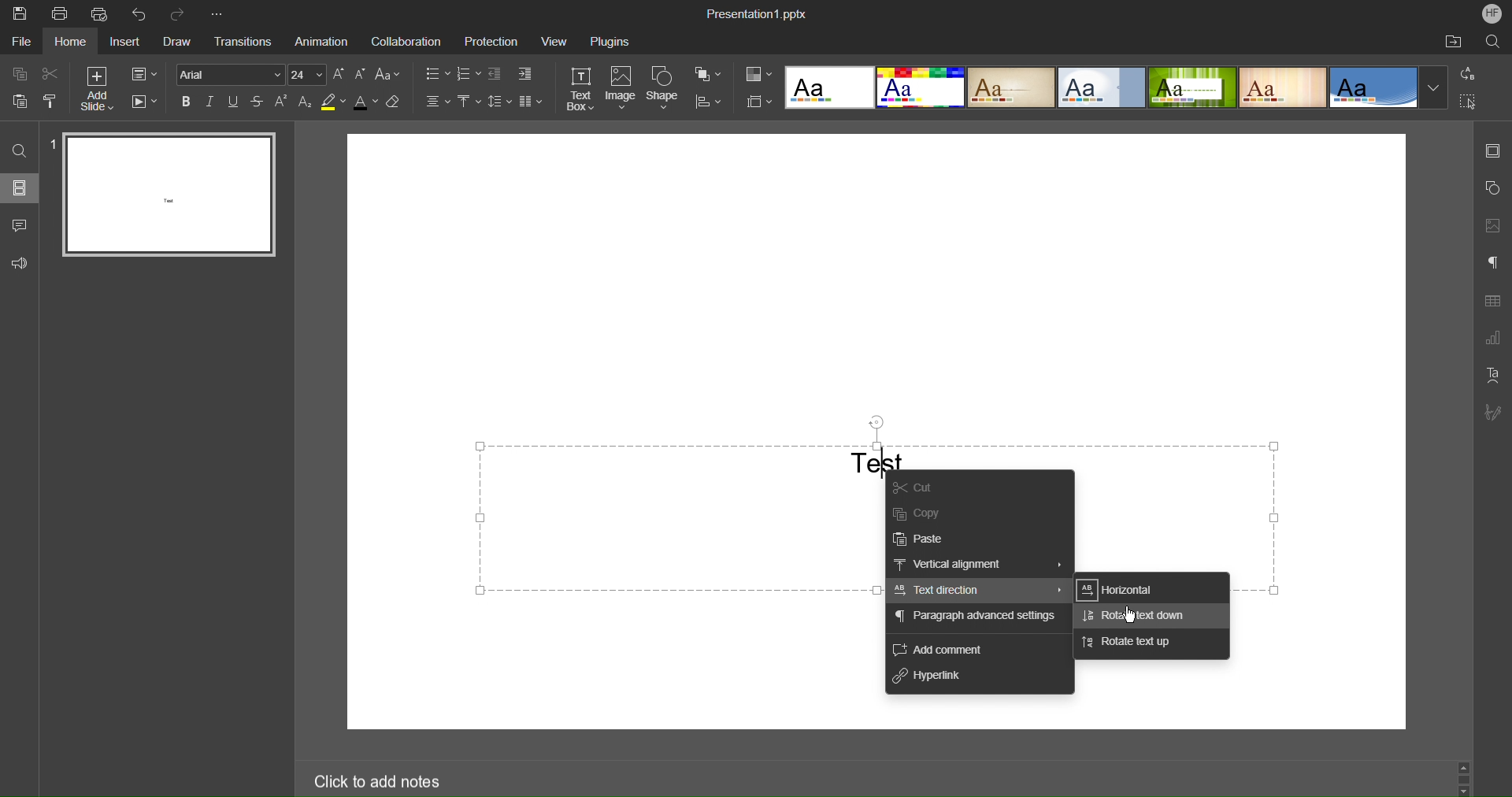 The image size is (1512, 797). Describe the element at coordinates (876, 461) in the screenshot. I see `Test` at that location.